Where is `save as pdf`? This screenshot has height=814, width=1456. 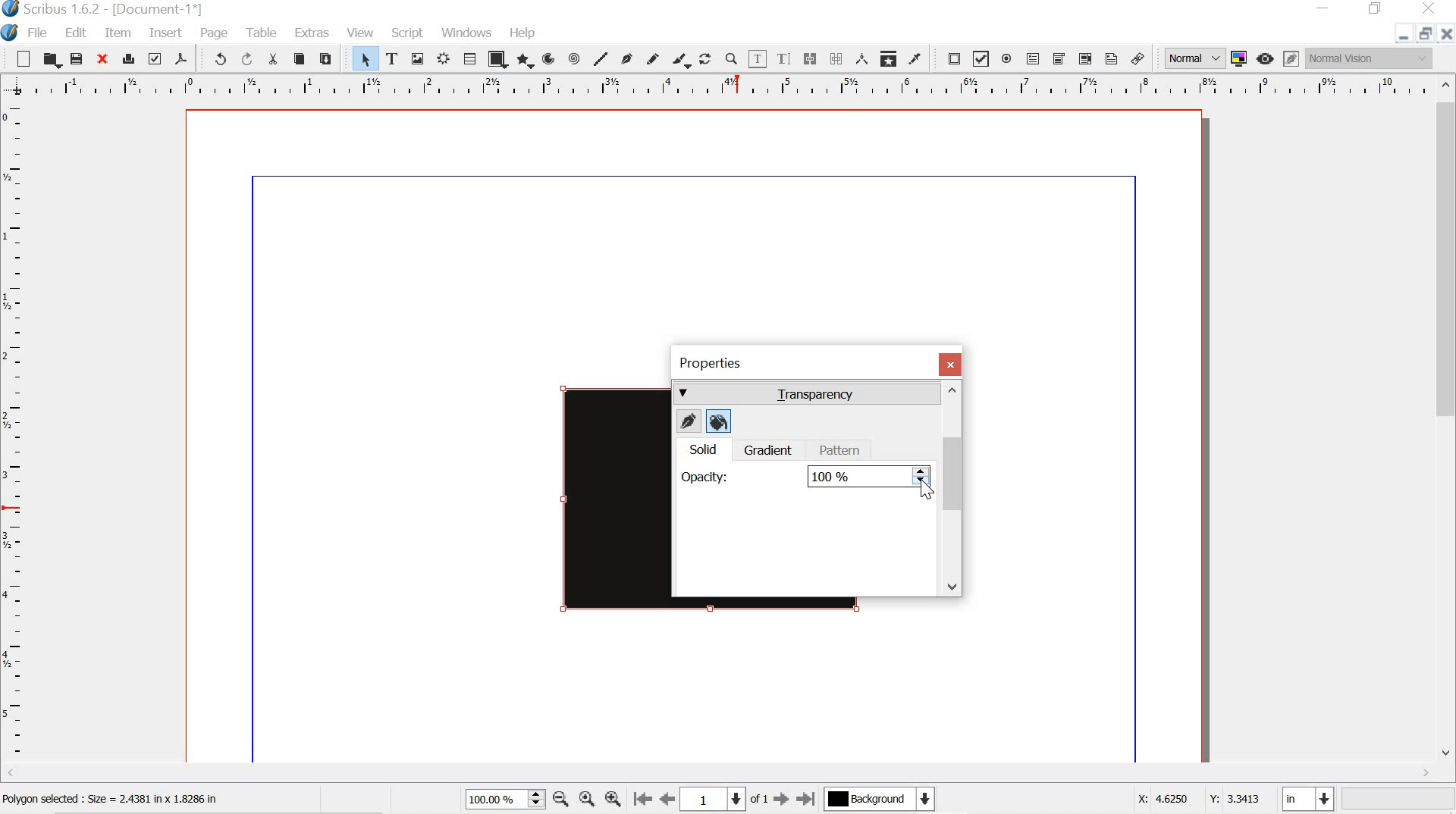
save as pdf is located at coordinates (181, 59).